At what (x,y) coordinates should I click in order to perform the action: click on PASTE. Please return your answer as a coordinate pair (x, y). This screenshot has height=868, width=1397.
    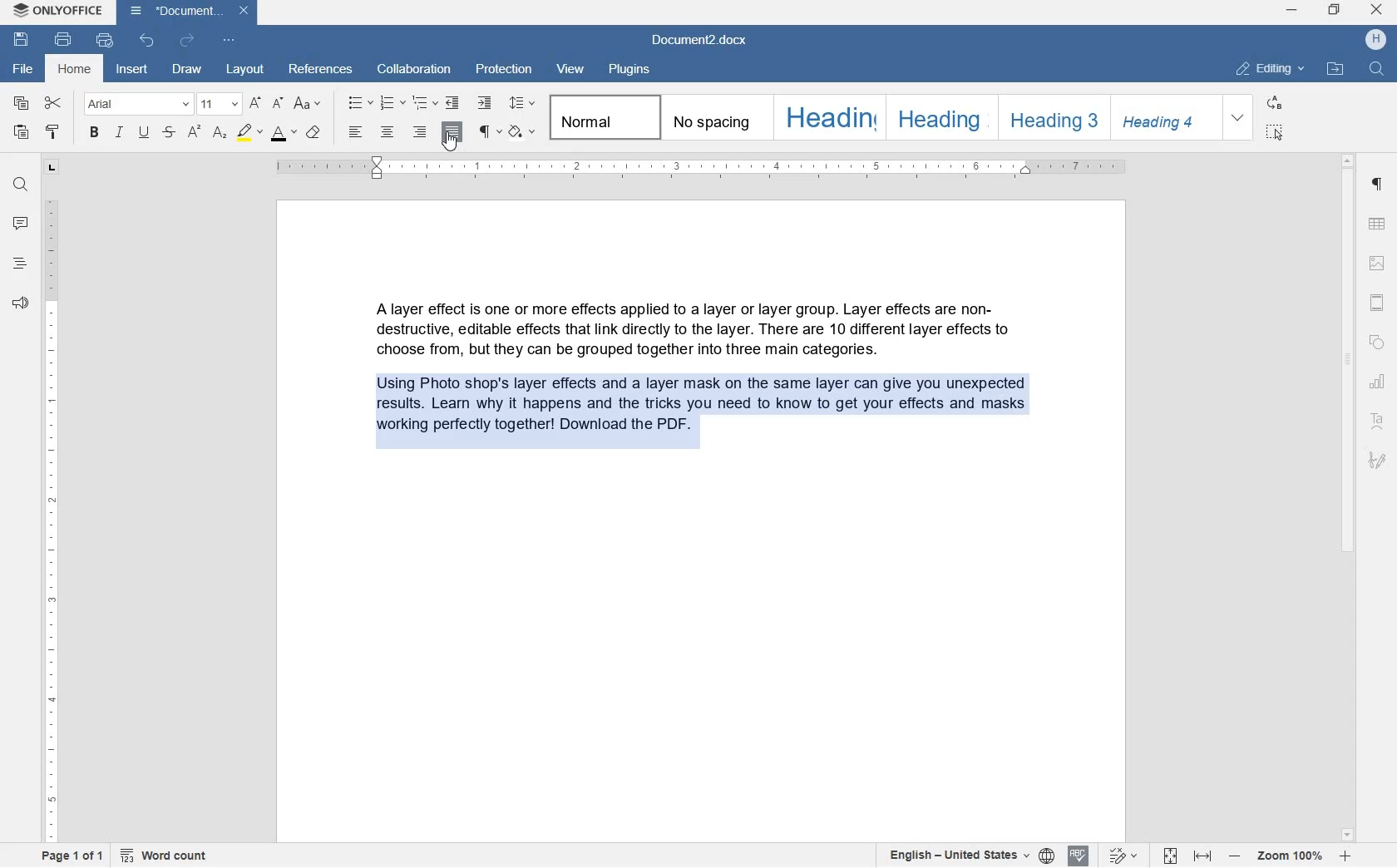
    Looking at the image, I should click on (23, 134).